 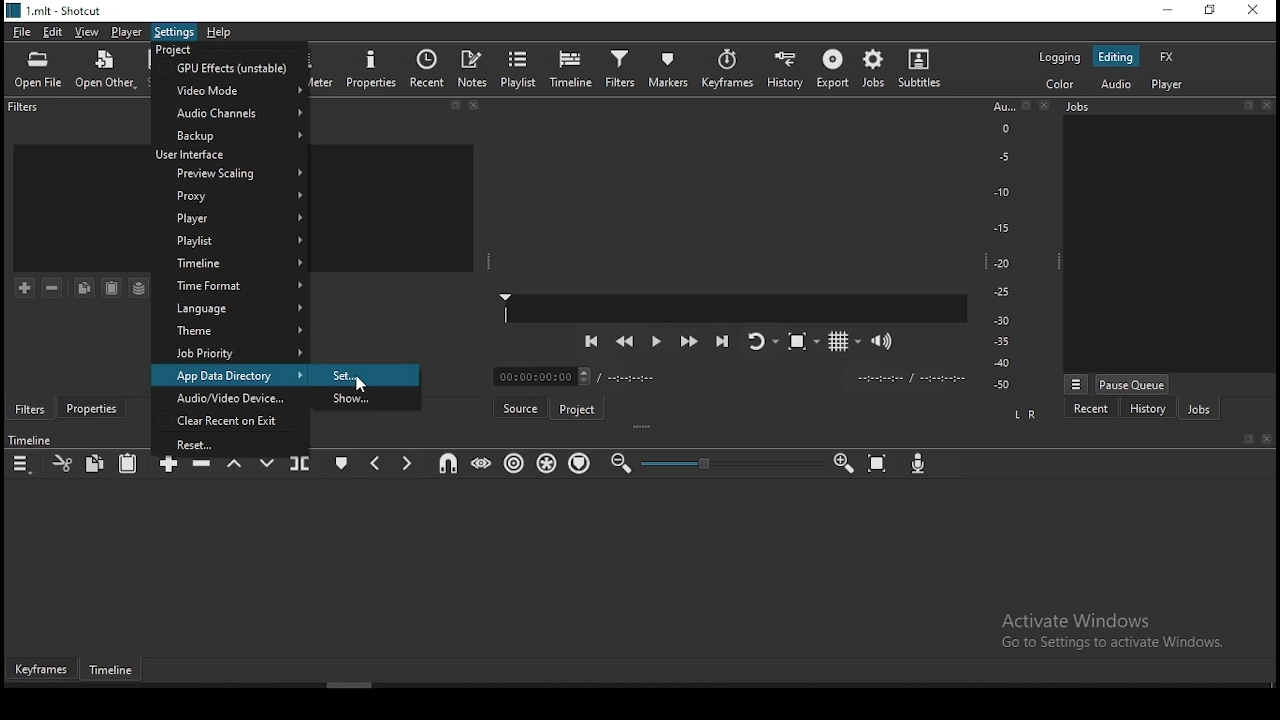 What do you see at coordinates (231, 287) in the screenshot?
I see `time format` at bounding box center [231, 287].